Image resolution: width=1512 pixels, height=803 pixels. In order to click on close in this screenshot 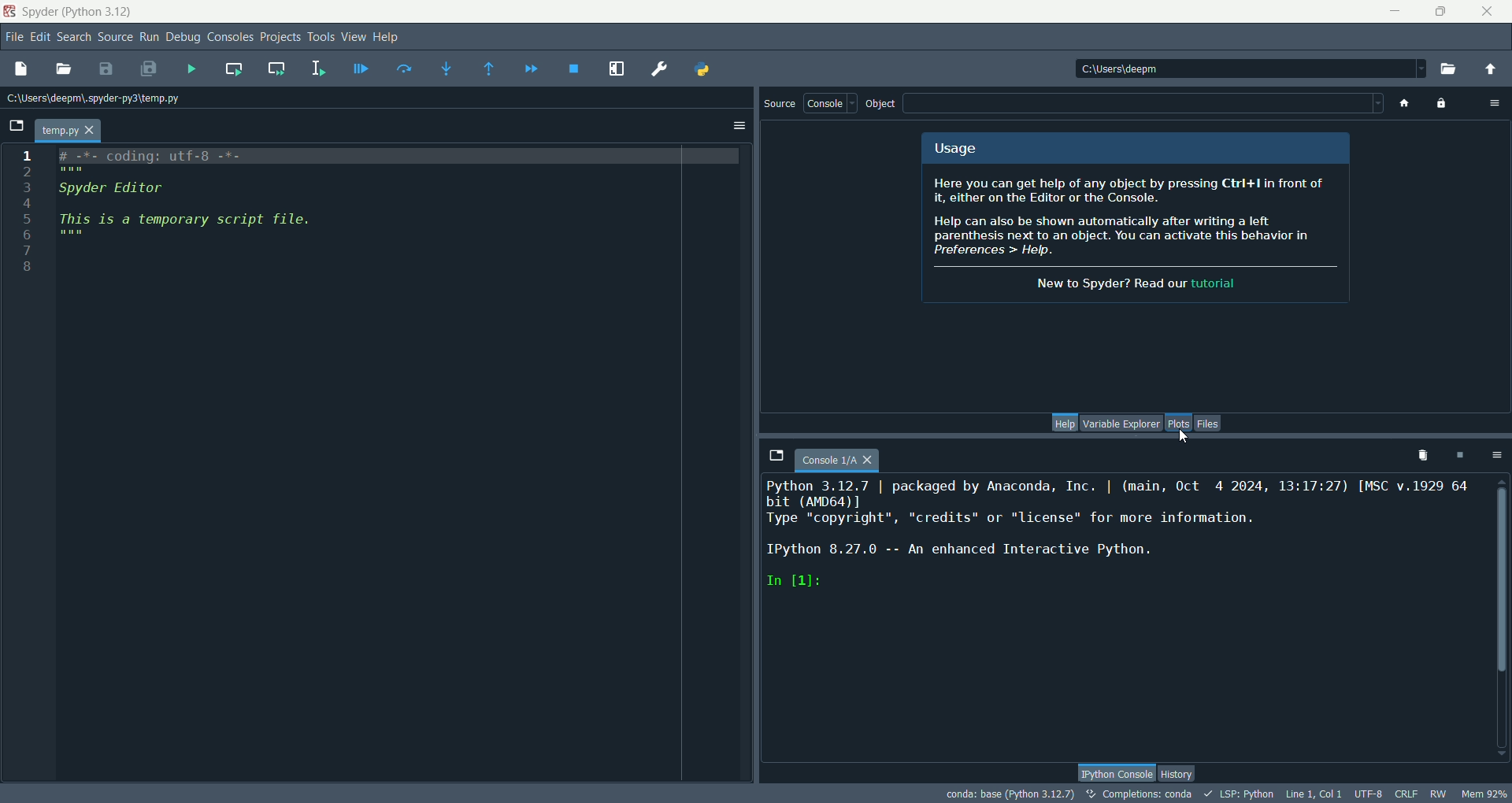, I will do `click(1486, 16)`.